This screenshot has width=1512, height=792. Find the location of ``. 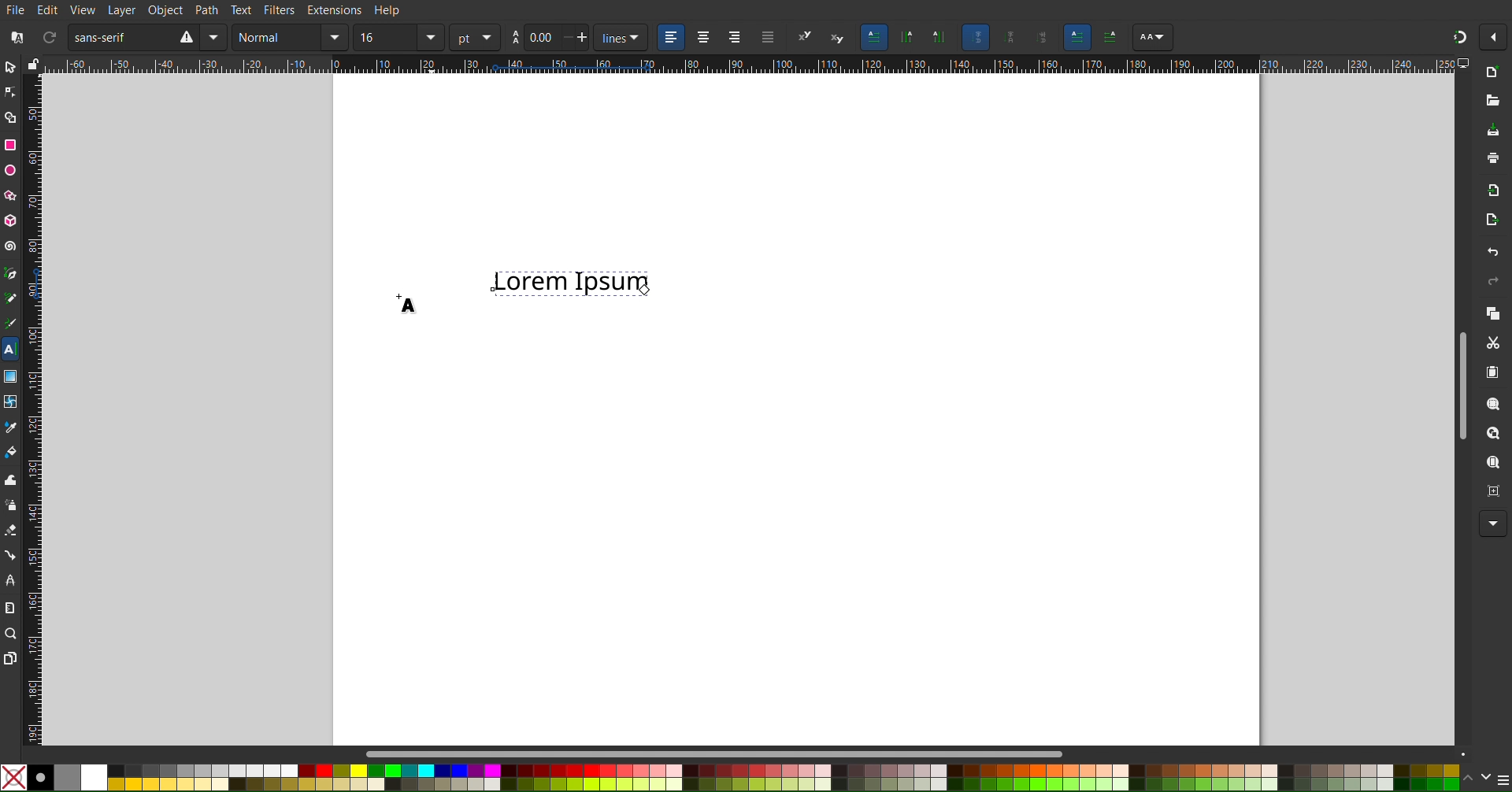

 is located at coordinates (1153, 38).